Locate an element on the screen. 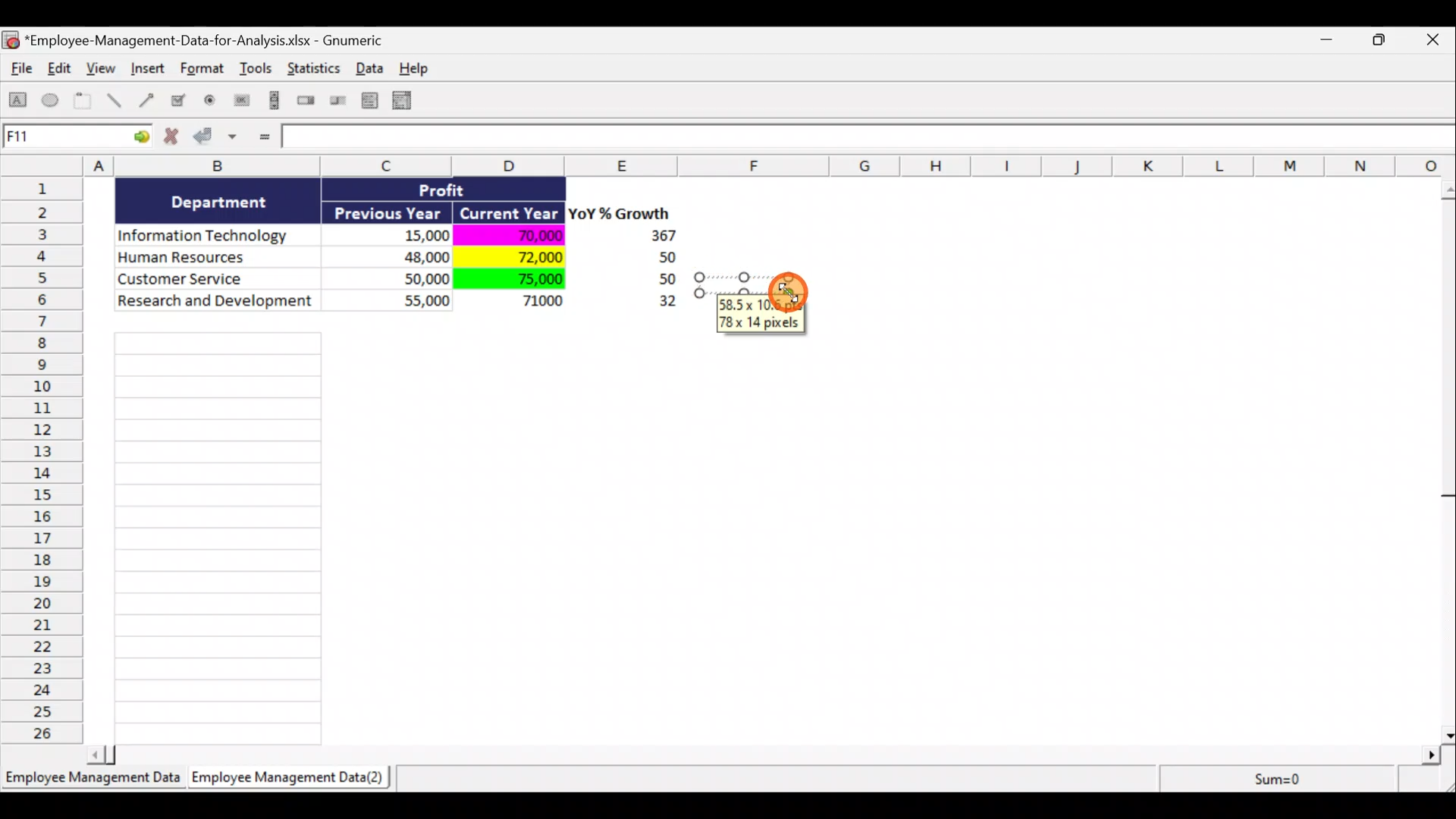 Image resolution: width=1456 pixels, height=819 pixels. 58.5x 10.6 pts is located at coordinates (763, 304).